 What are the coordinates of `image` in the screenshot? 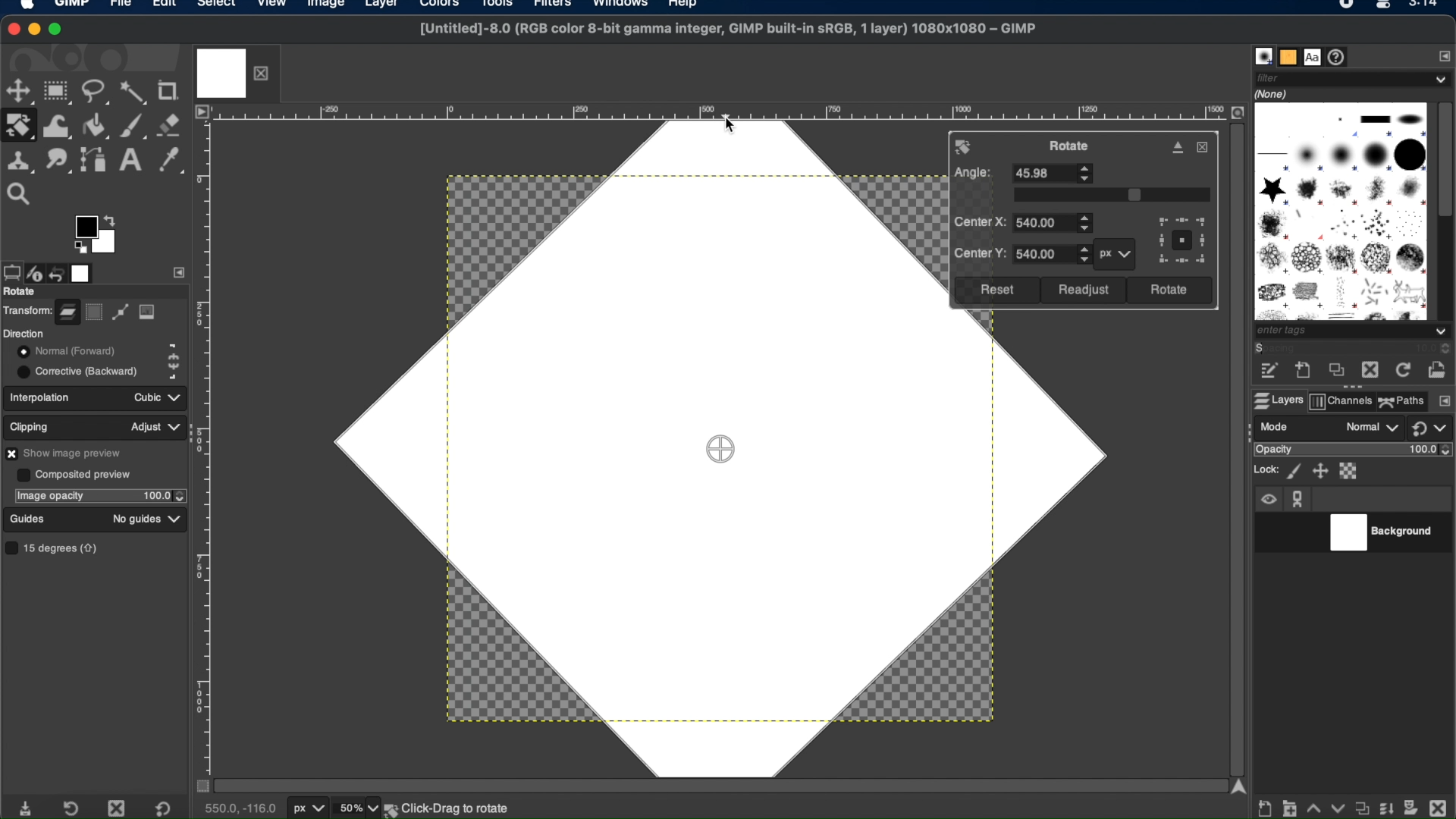 It's located at (324, 6).